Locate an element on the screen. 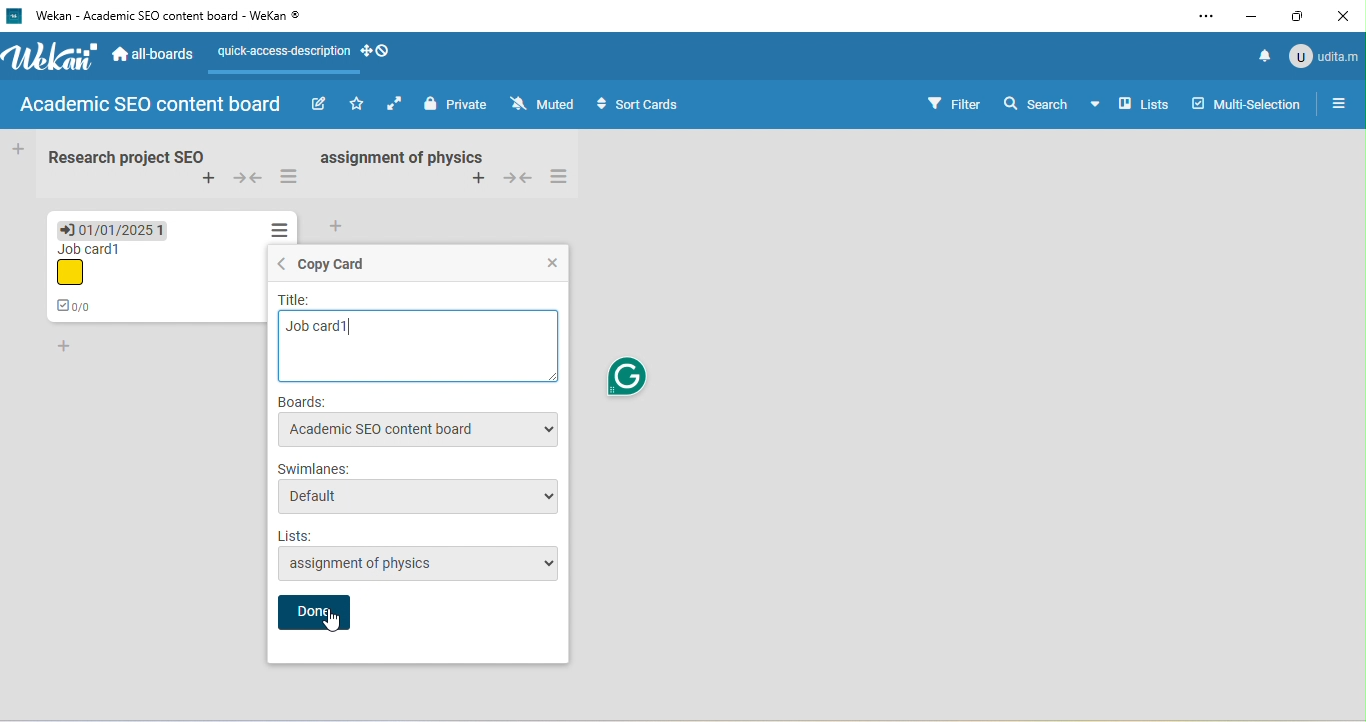  close is located at coordinates (545, 263).